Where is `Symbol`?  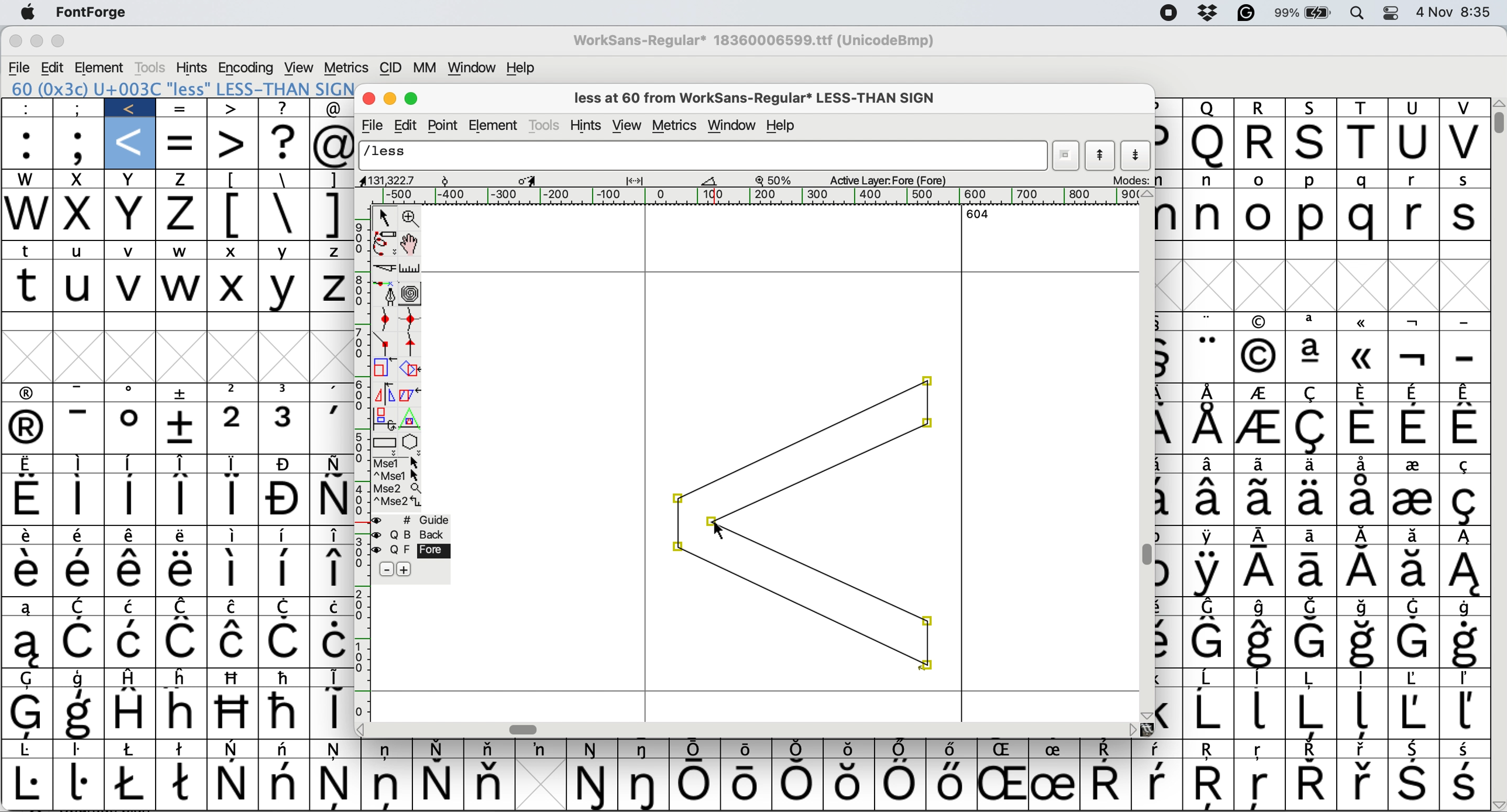 Symbol is located at coordinates (1464, 713).